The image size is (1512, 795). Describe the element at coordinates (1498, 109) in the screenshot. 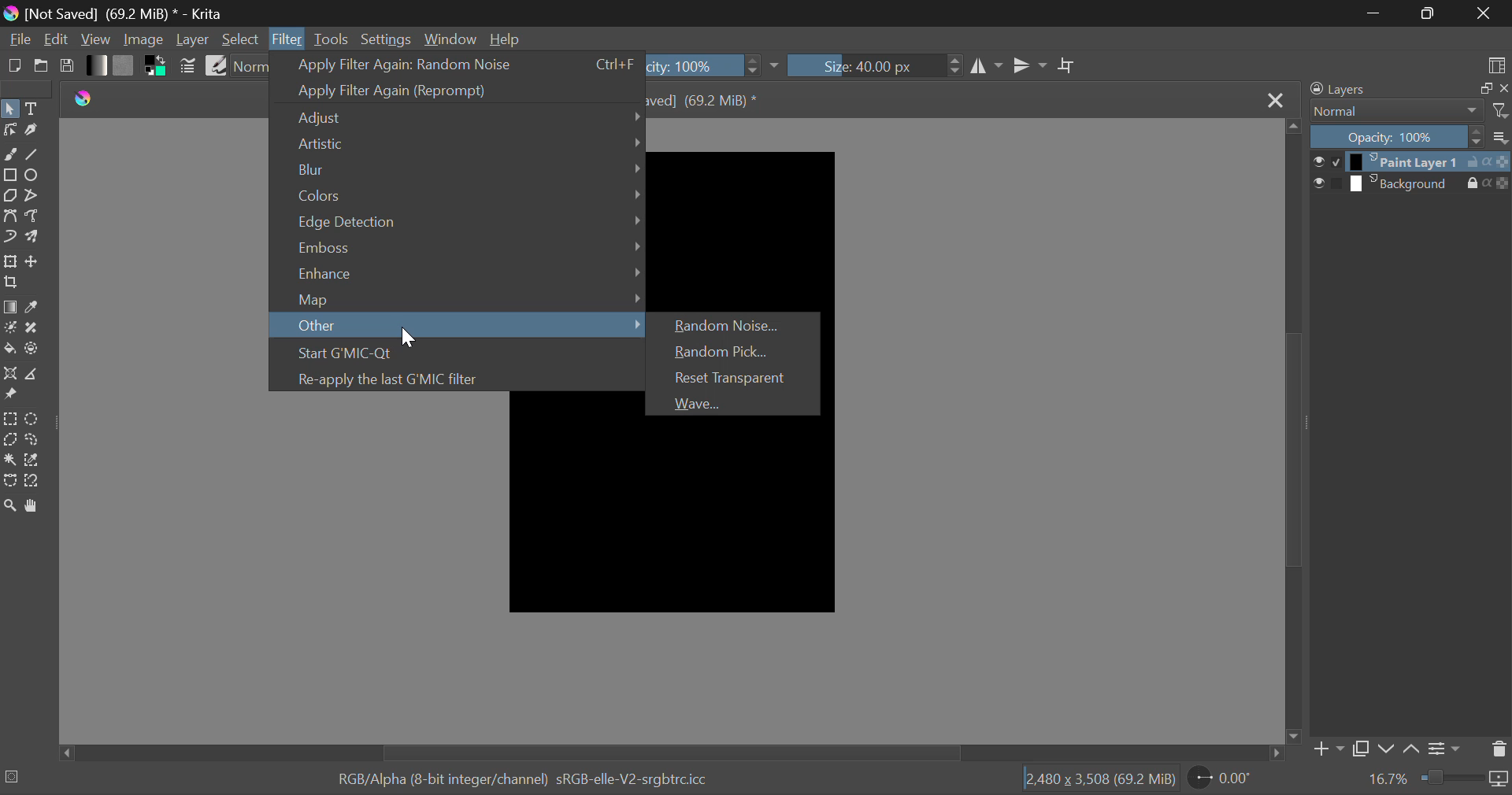

I see `filter` at that location.